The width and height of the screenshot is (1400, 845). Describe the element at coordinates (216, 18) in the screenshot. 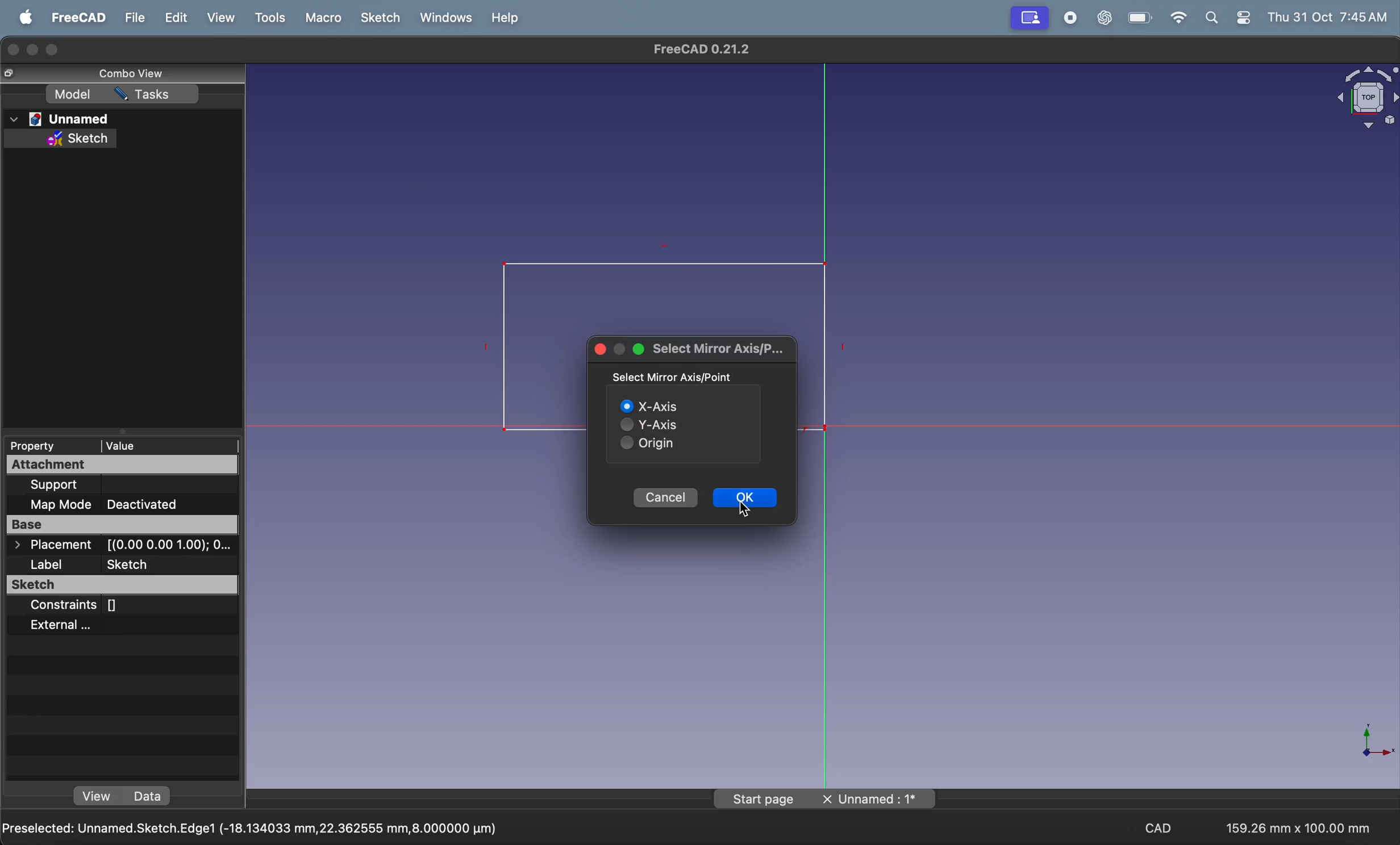

I see `view` at that location.